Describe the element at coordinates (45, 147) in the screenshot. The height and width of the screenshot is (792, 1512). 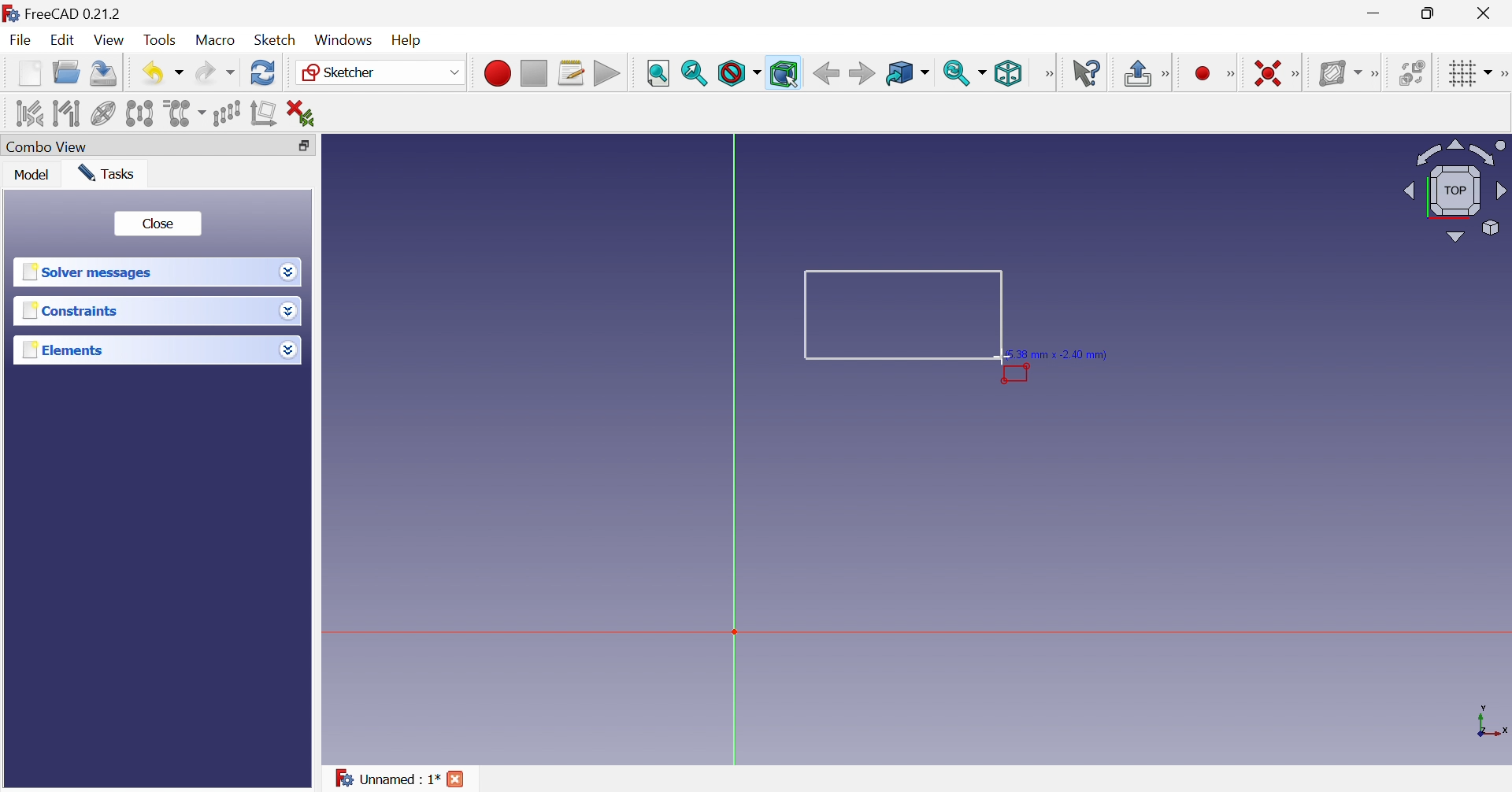
I see `Combo view` at that location.